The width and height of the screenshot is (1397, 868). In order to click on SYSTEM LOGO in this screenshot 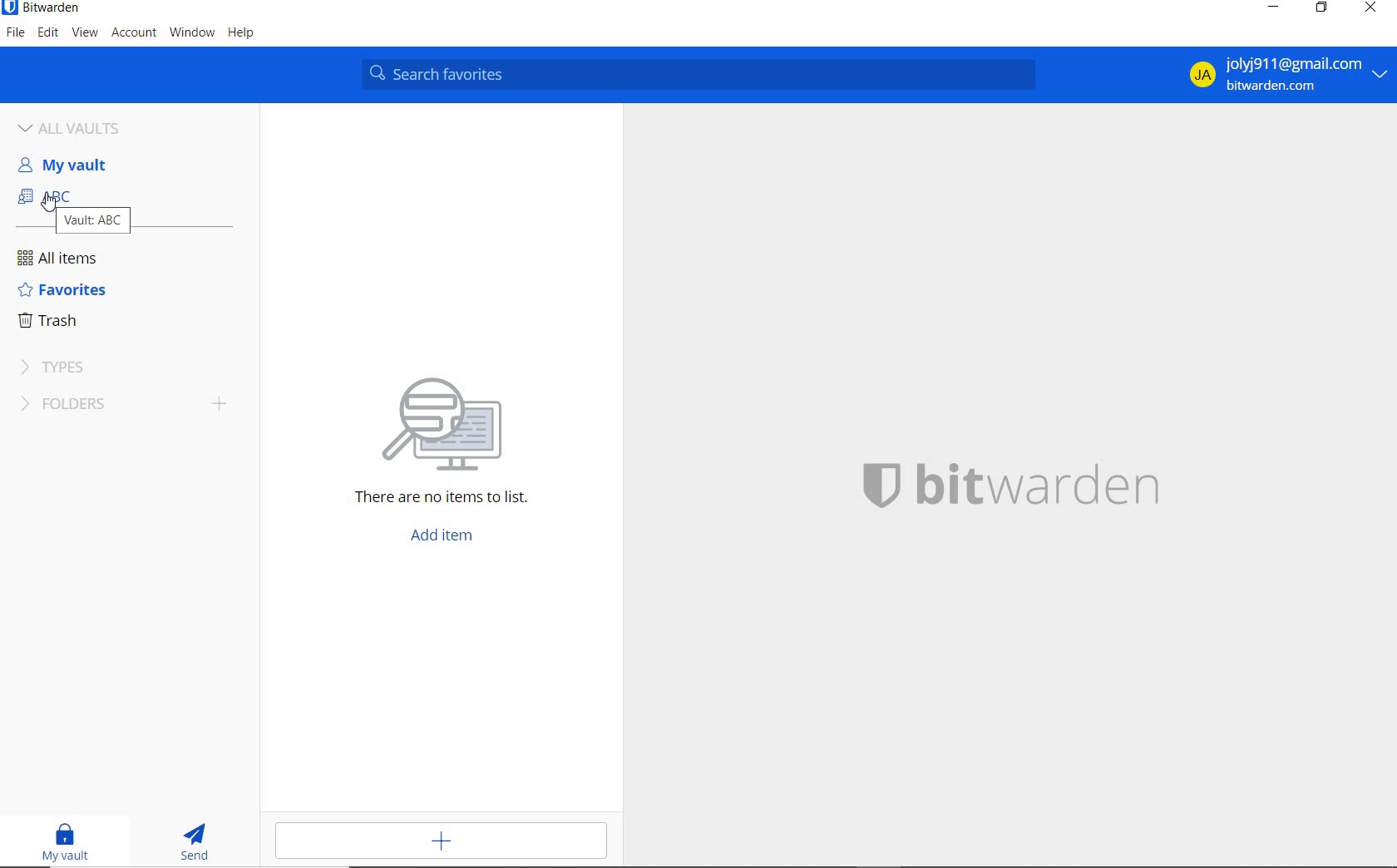, I will do `click(1042, 482)`.